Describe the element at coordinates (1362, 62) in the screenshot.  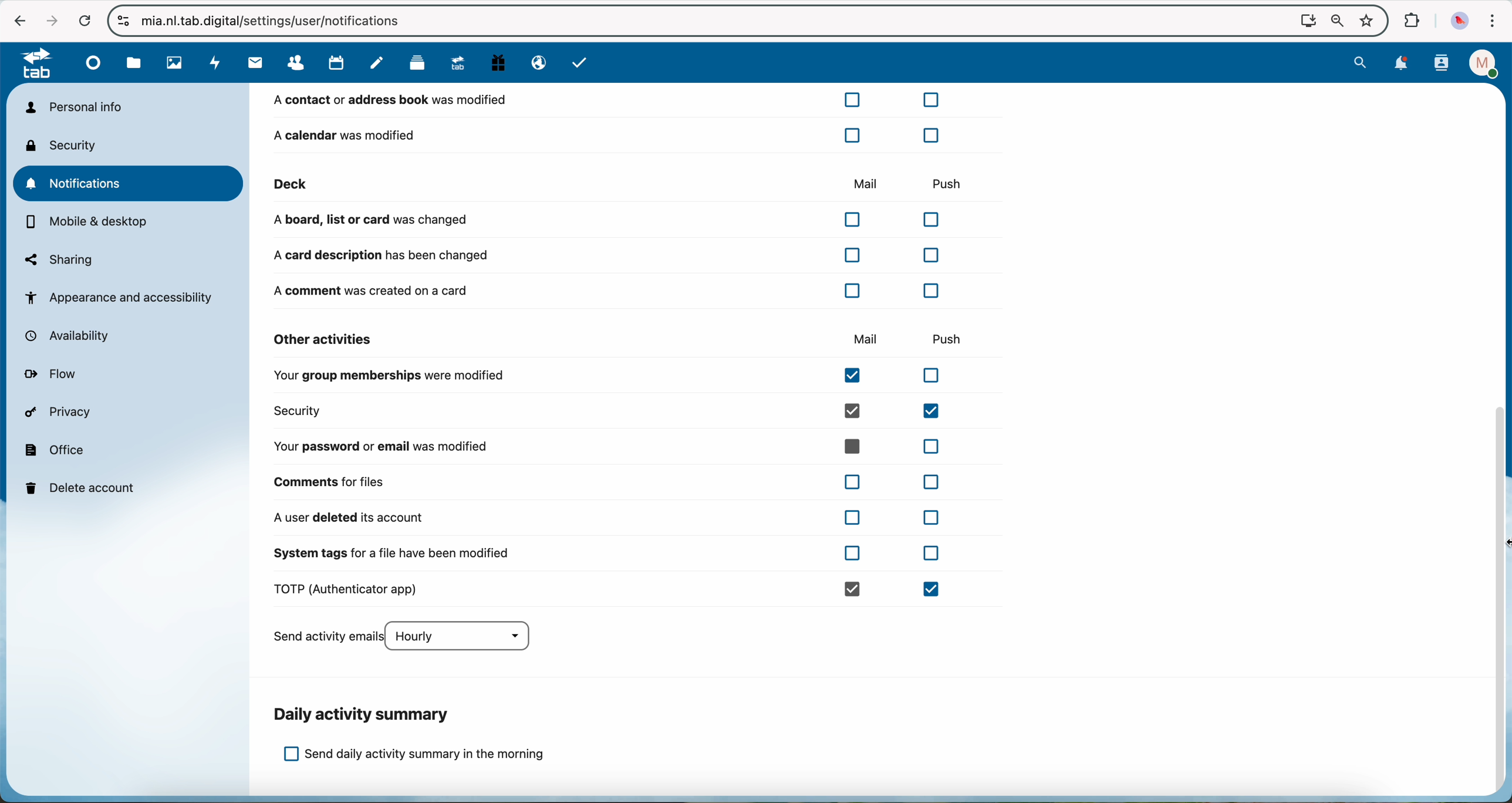
I see `search` at that location.